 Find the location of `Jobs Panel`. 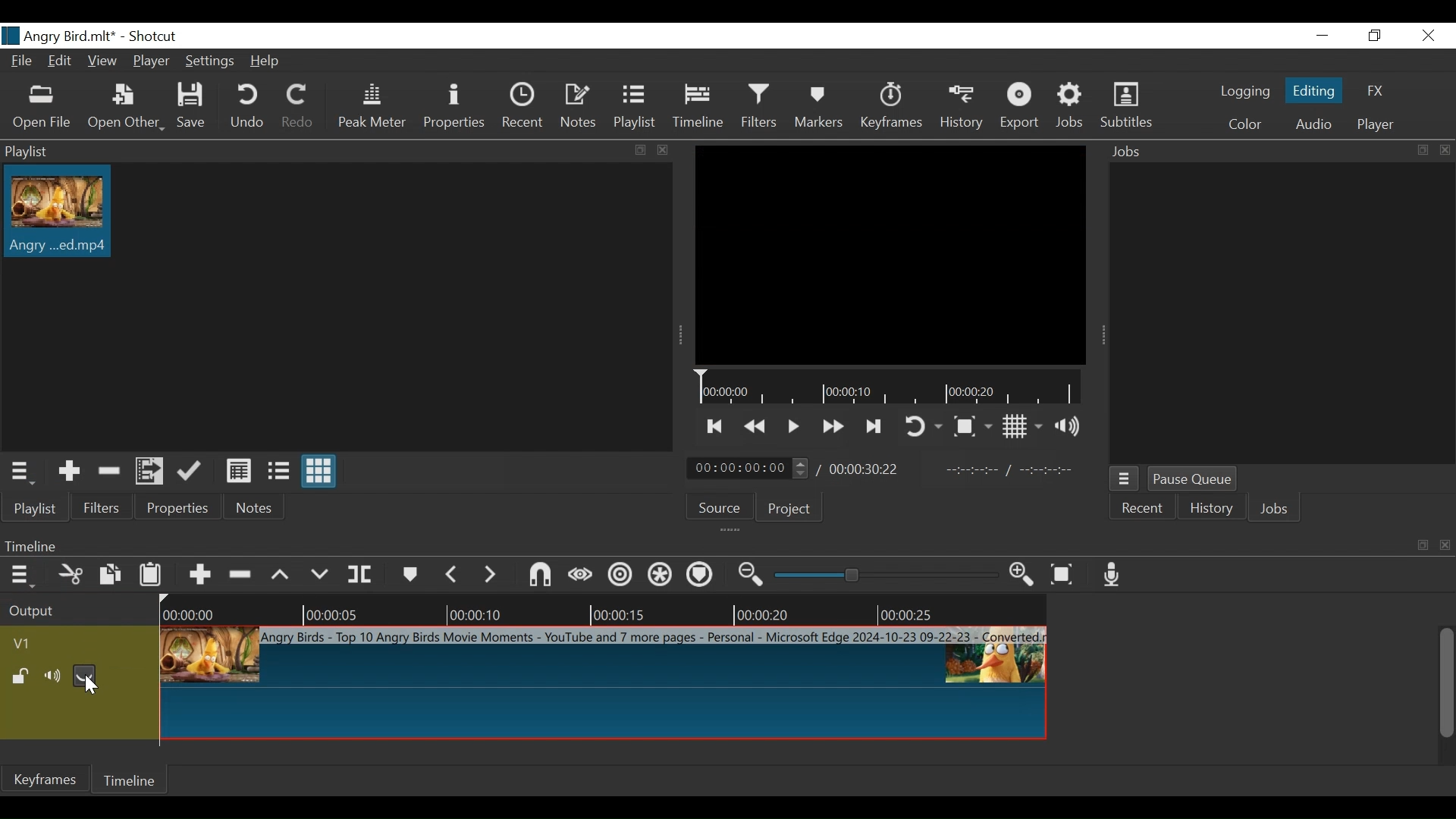

Jobs Panel is located at coordinates (1281, 312).